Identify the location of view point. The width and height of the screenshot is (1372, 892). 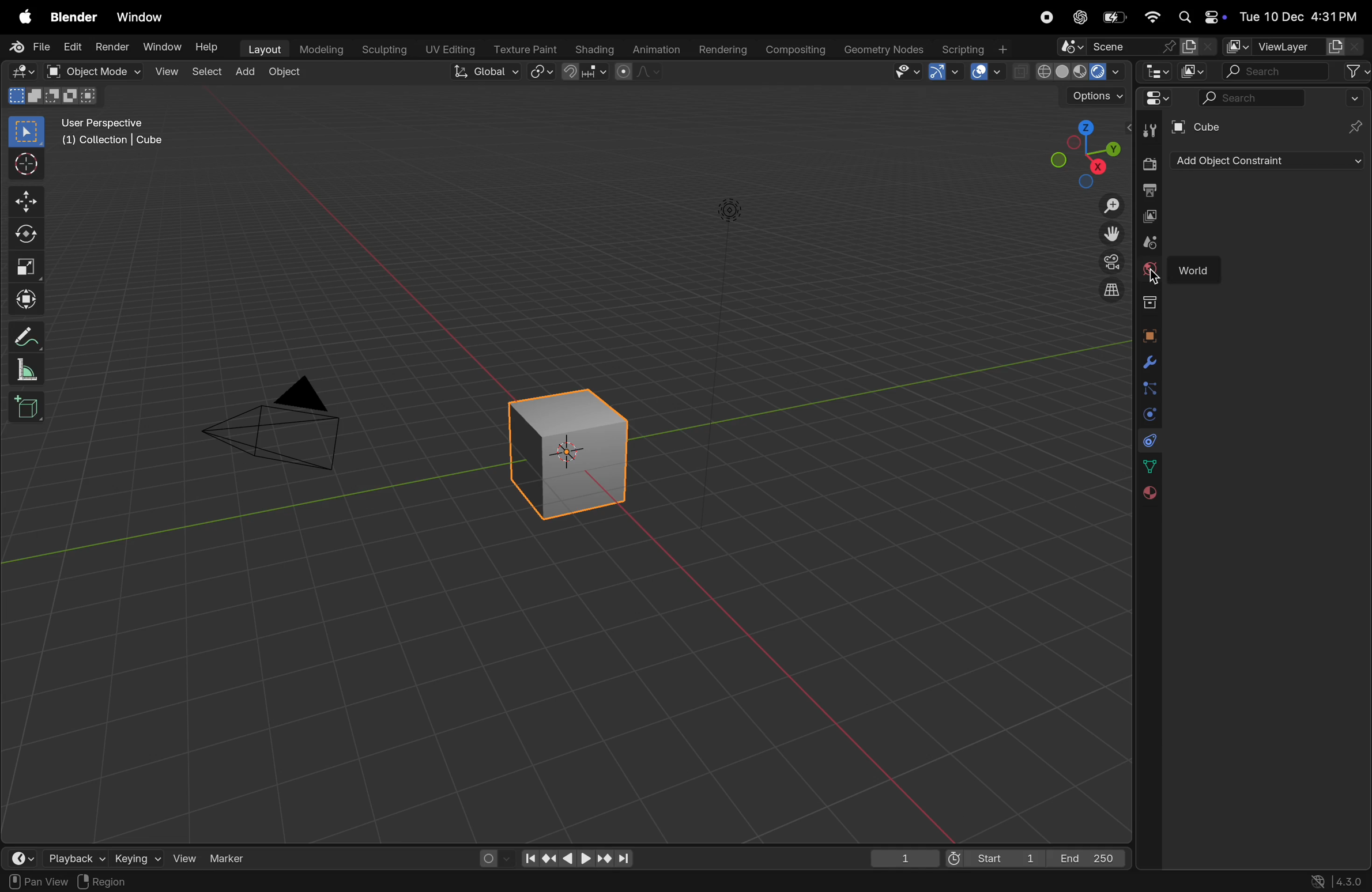
(1083, 152).